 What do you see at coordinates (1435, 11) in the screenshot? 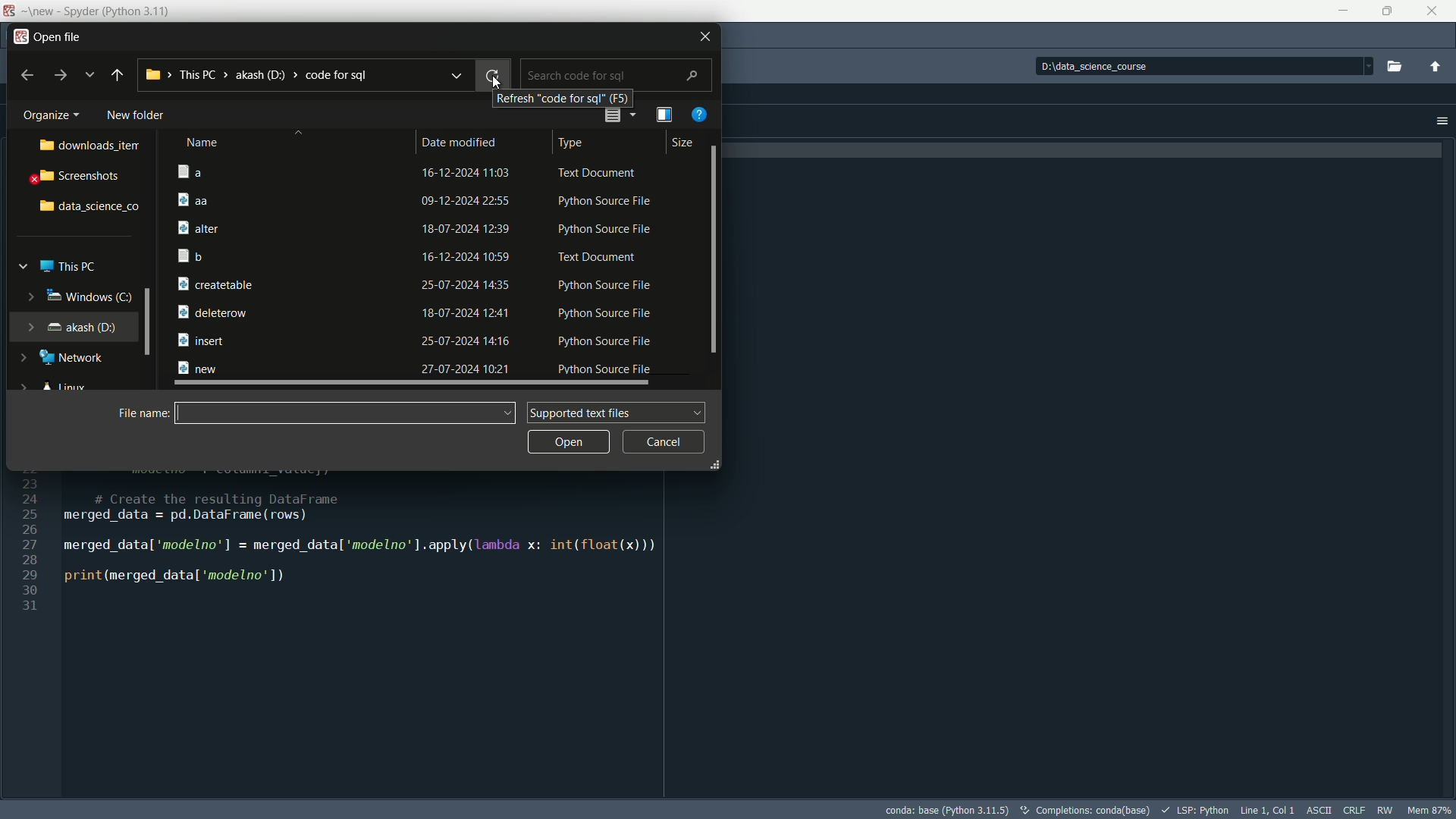
I see `close` at bounding box center [1435, 11].